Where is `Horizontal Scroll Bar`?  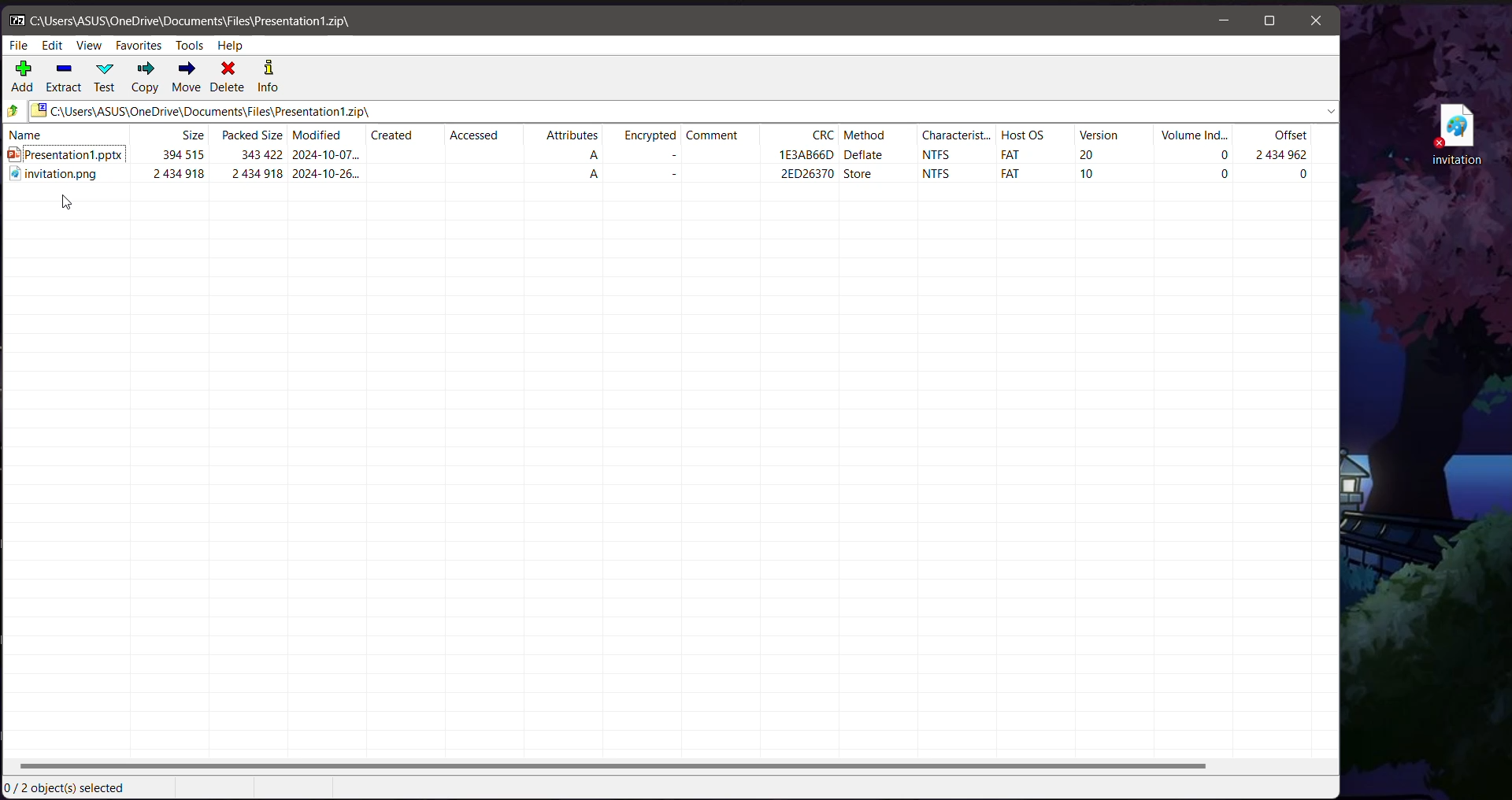 Horizontal Scroll Bar is located at coordinates (669, 767).